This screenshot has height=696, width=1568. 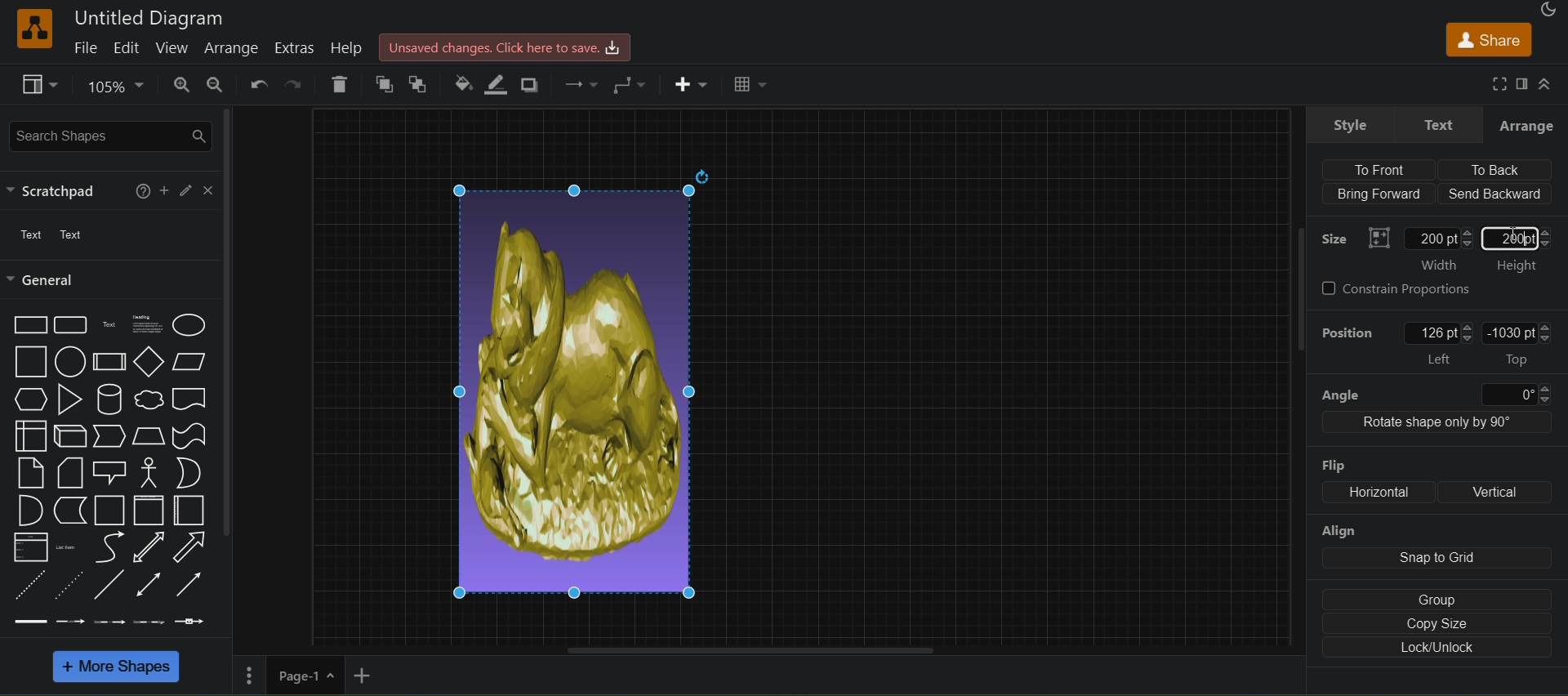 What do you see at coordinates (111, 87) in the screenshot?
I see `zoom` at bounding box center [111, 87].